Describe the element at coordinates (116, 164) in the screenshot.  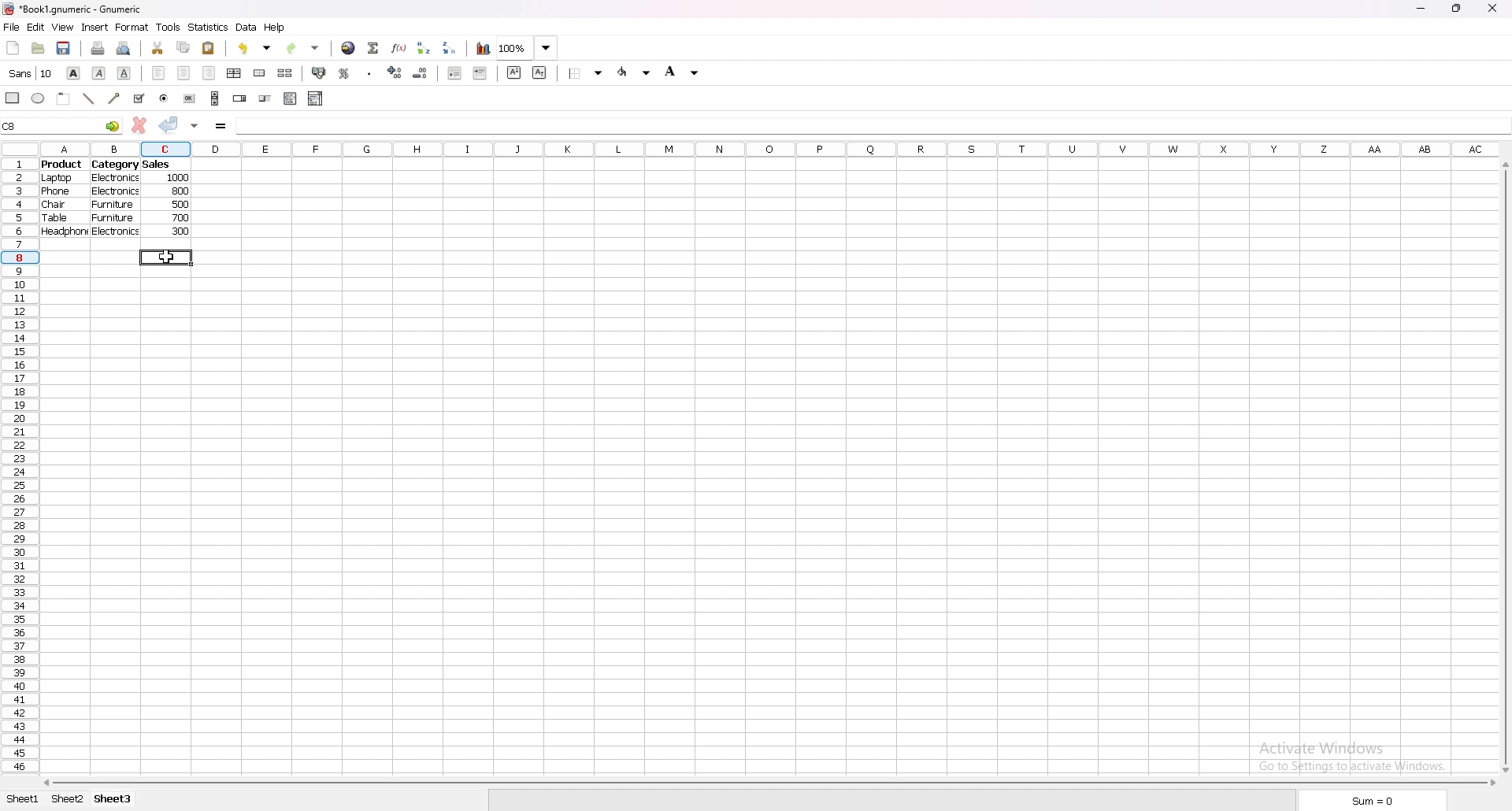
I see `category` at that location.